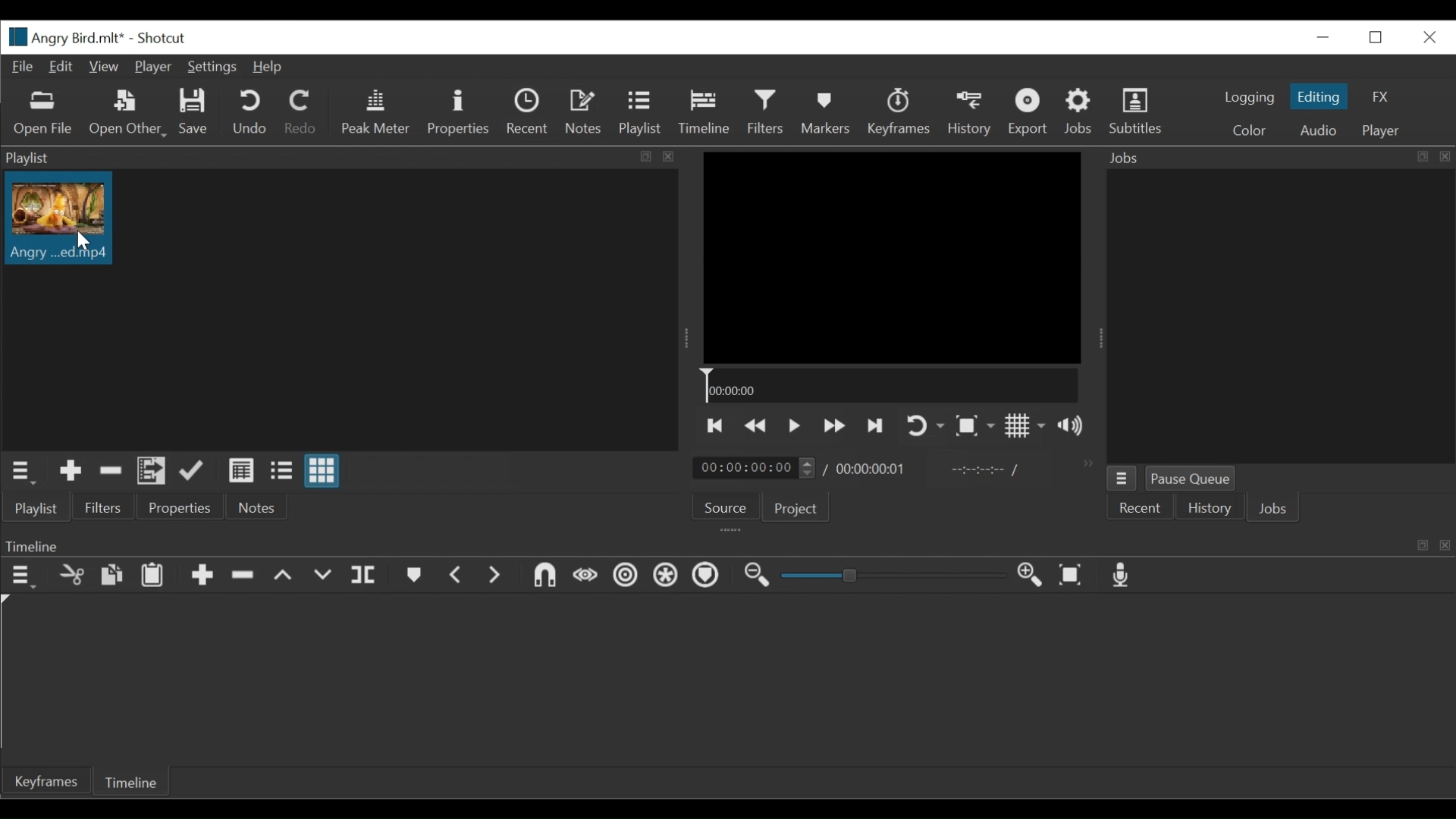 The height and width of the screenshot is (819, 1456). What do you see at coordinates (322, 470) in the screenshot?
I see `View as icons` at bounding box center [322, 470].